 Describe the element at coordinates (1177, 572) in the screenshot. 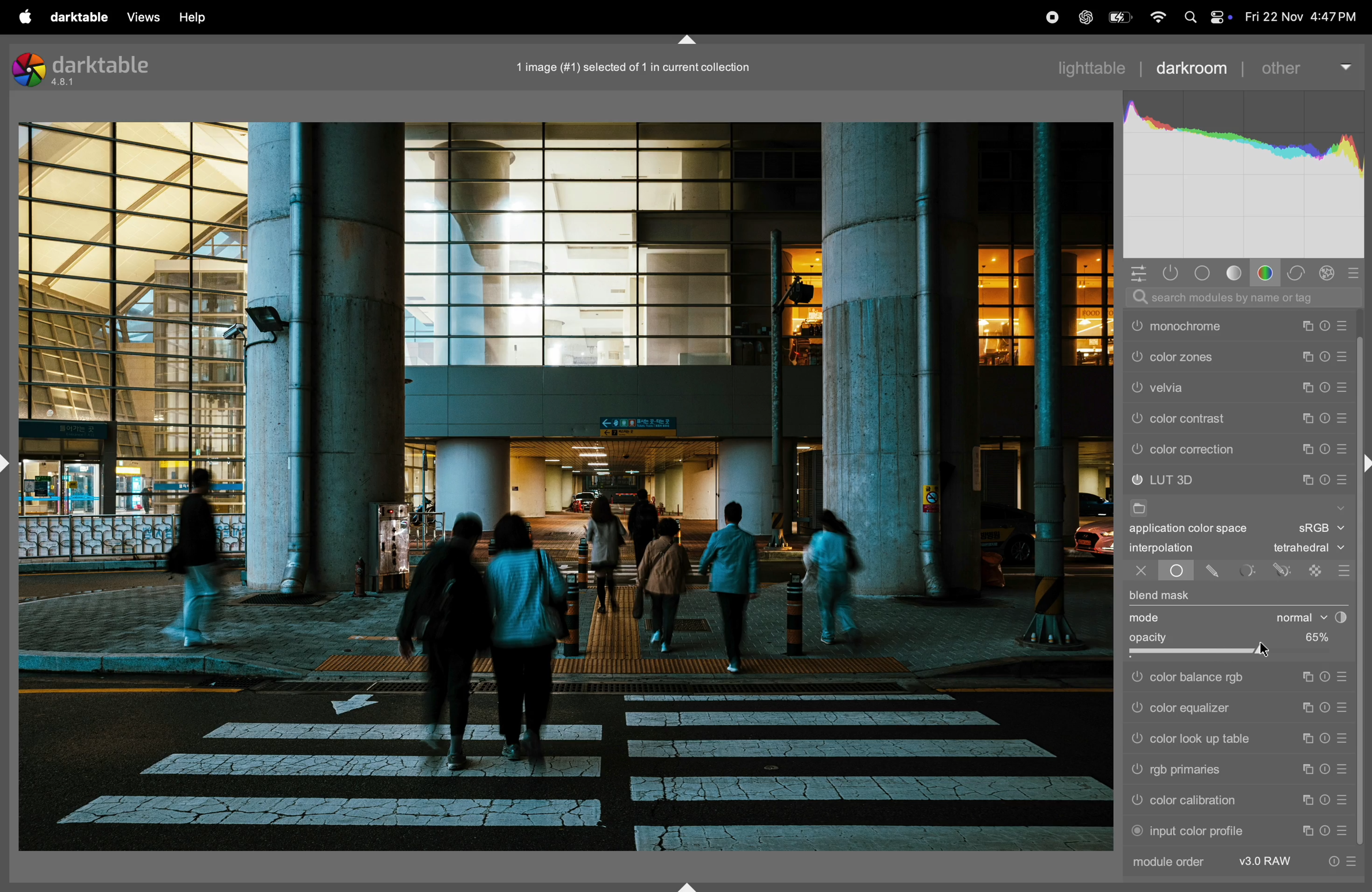

I see `uniformly` at that location.